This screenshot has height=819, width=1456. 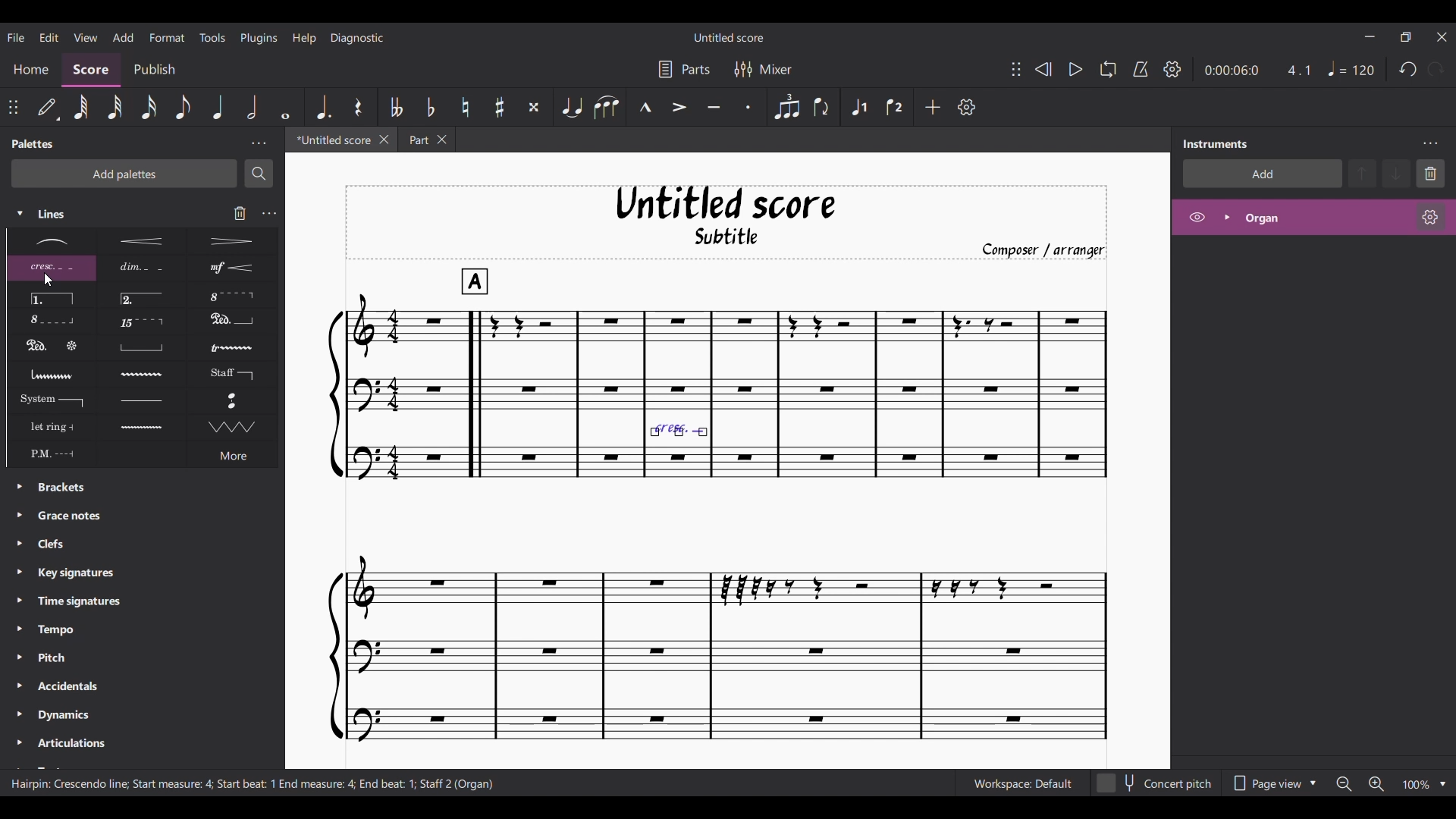 I want to click on Undo, so click(x=1408, y=69).